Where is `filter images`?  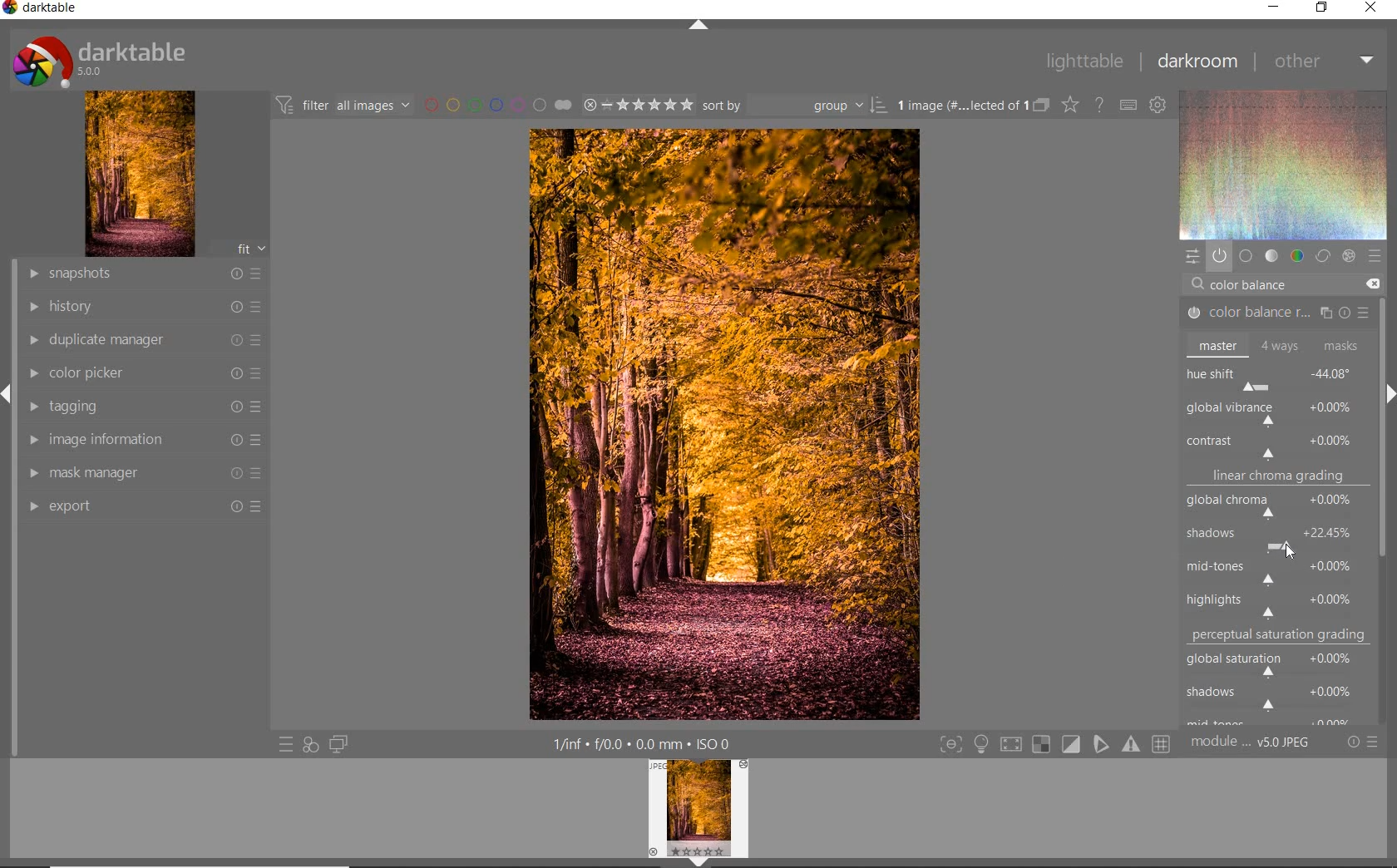 filter images is located at coordinates (342, 106).